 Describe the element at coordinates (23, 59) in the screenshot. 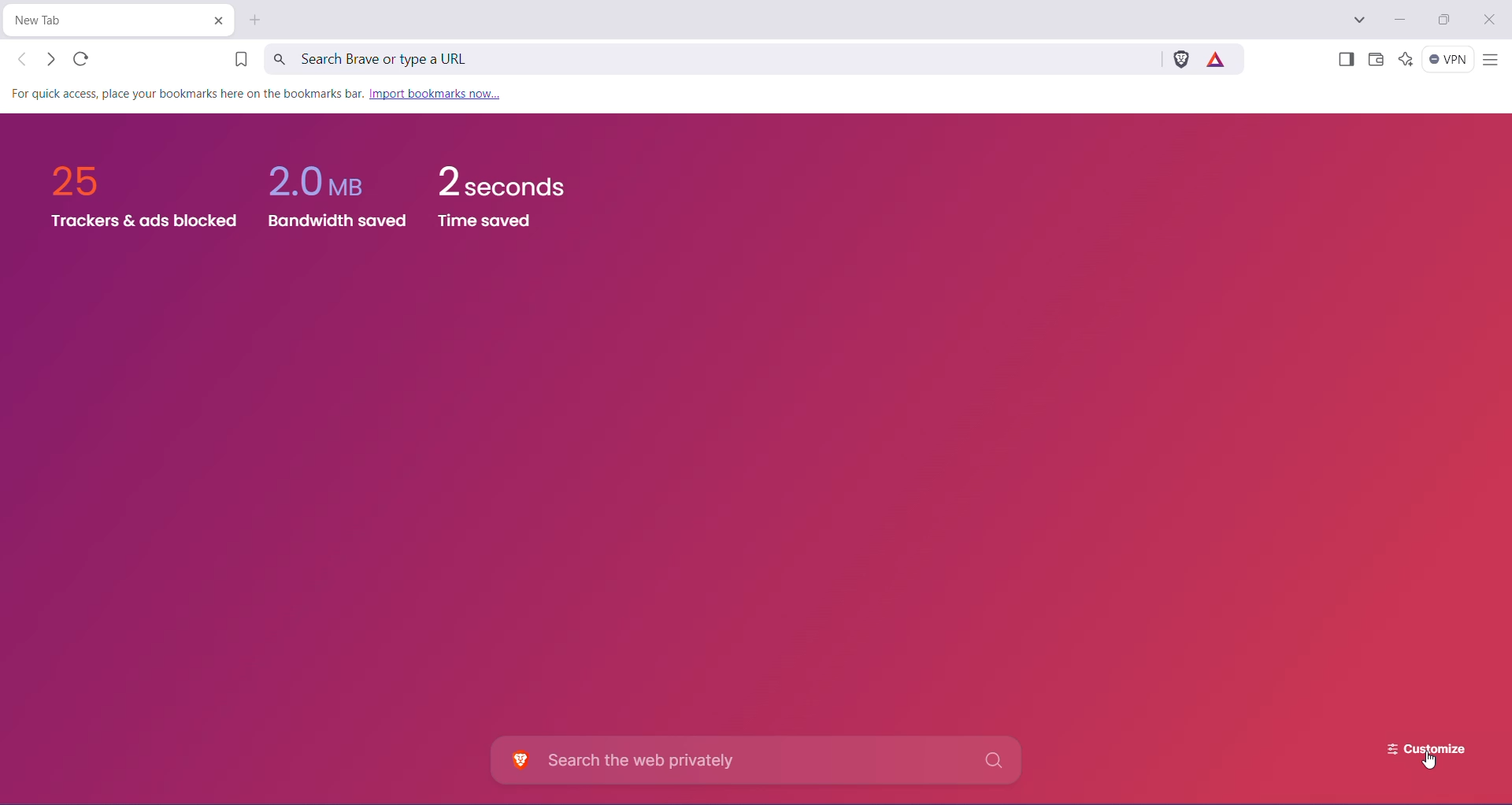

I see `Click to go back, hold to see history` at that location.